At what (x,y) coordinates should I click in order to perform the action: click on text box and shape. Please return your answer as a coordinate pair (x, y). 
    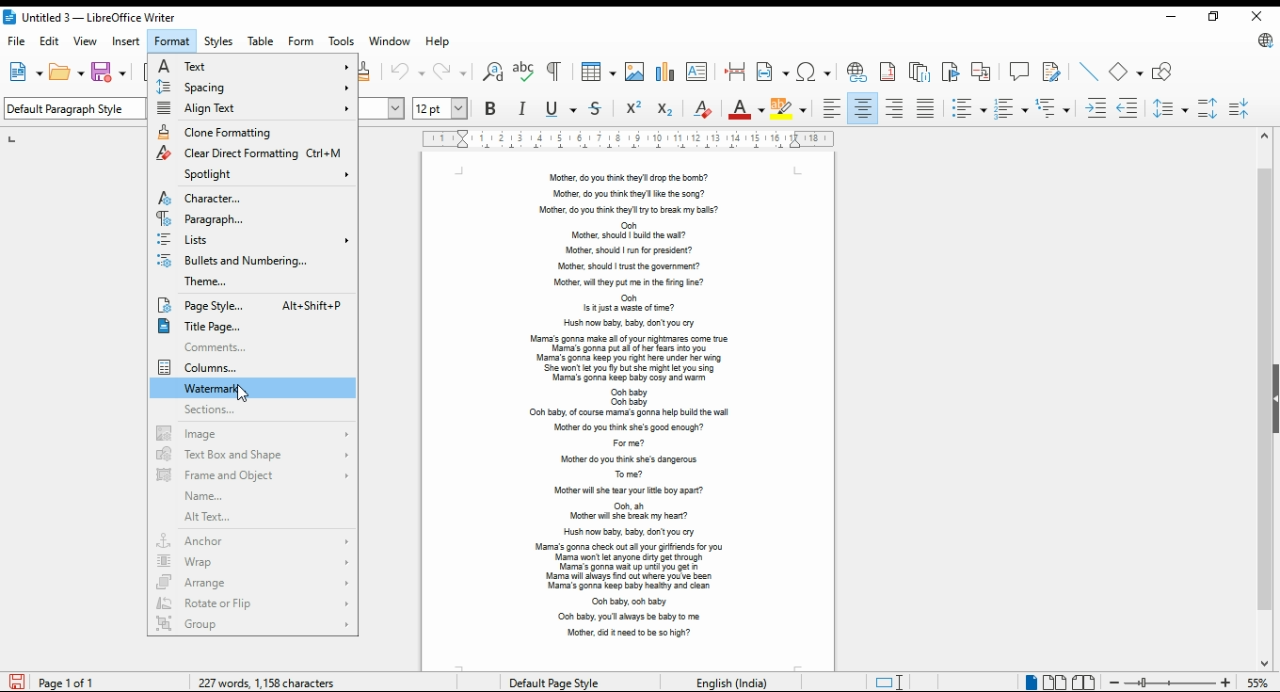
    Looking at the image, I should click on (255, 455).